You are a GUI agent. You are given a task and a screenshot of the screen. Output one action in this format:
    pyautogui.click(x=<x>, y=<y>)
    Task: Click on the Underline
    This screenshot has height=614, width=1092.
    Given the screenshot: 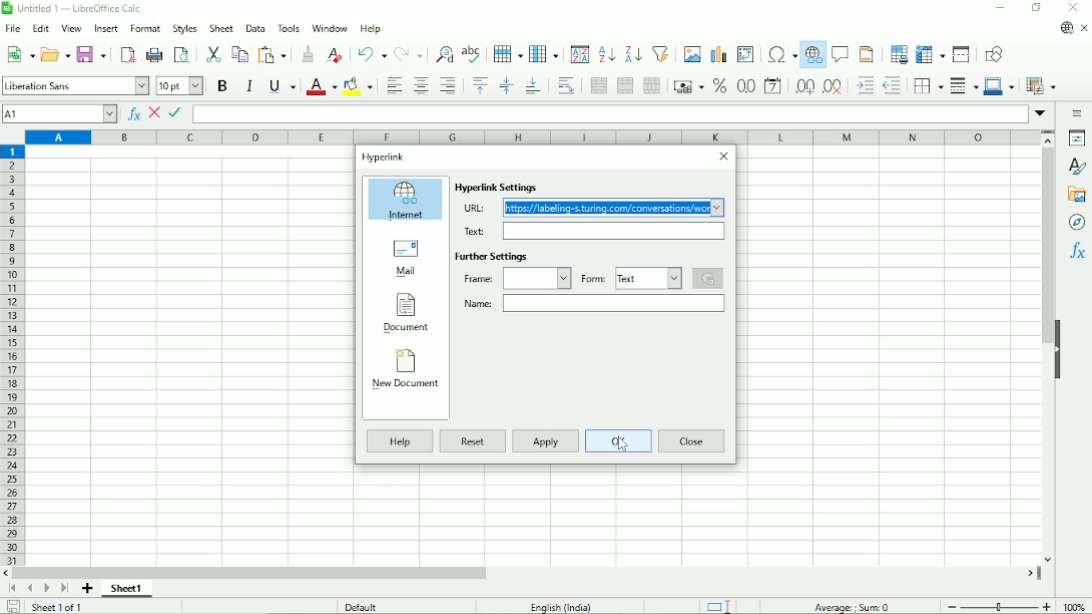 What is the action you would take?
    pyautogui.click(x=282, y=86)
    